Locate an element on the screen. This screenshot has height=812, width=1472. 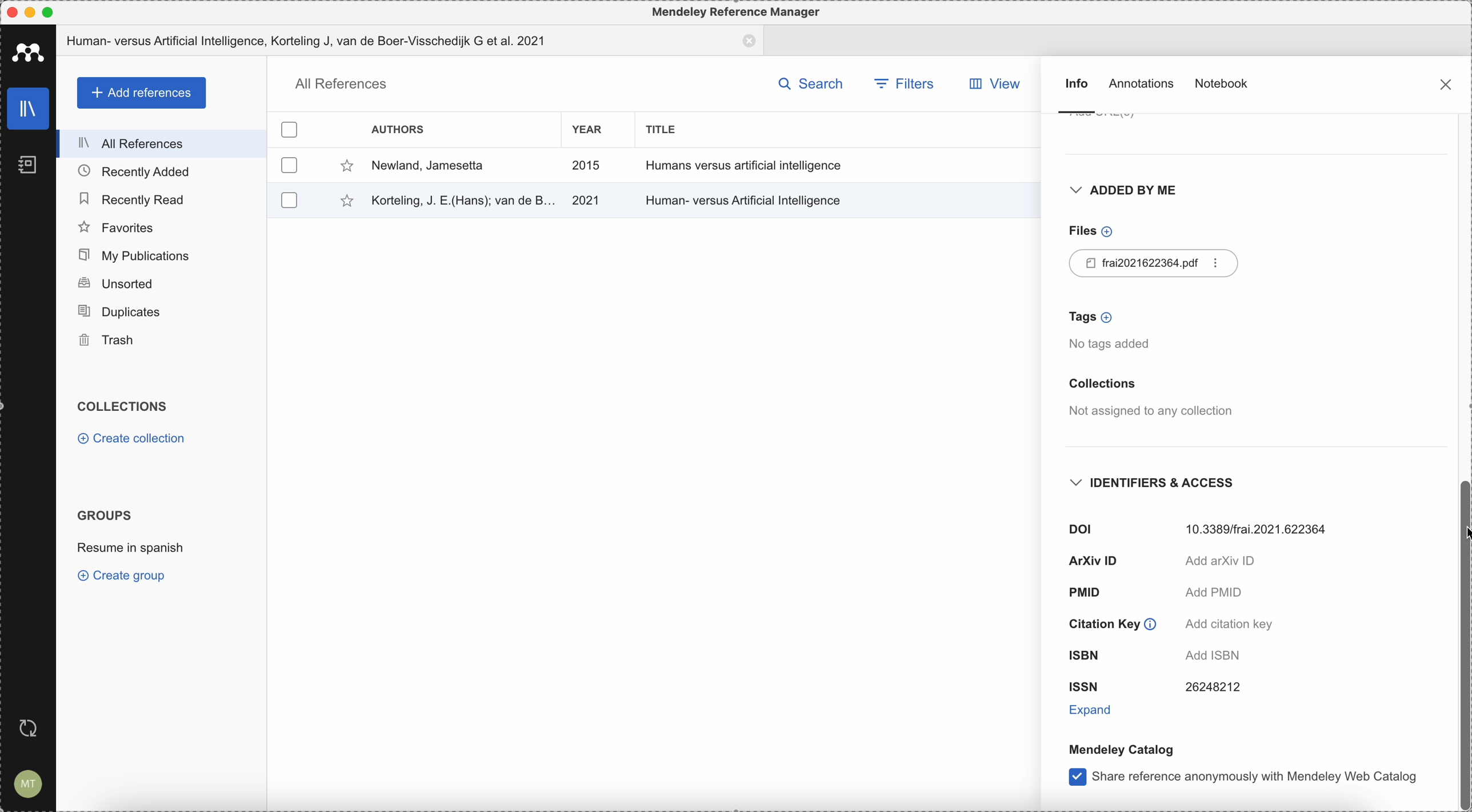
citation key is located at coordinates (1168, 623).